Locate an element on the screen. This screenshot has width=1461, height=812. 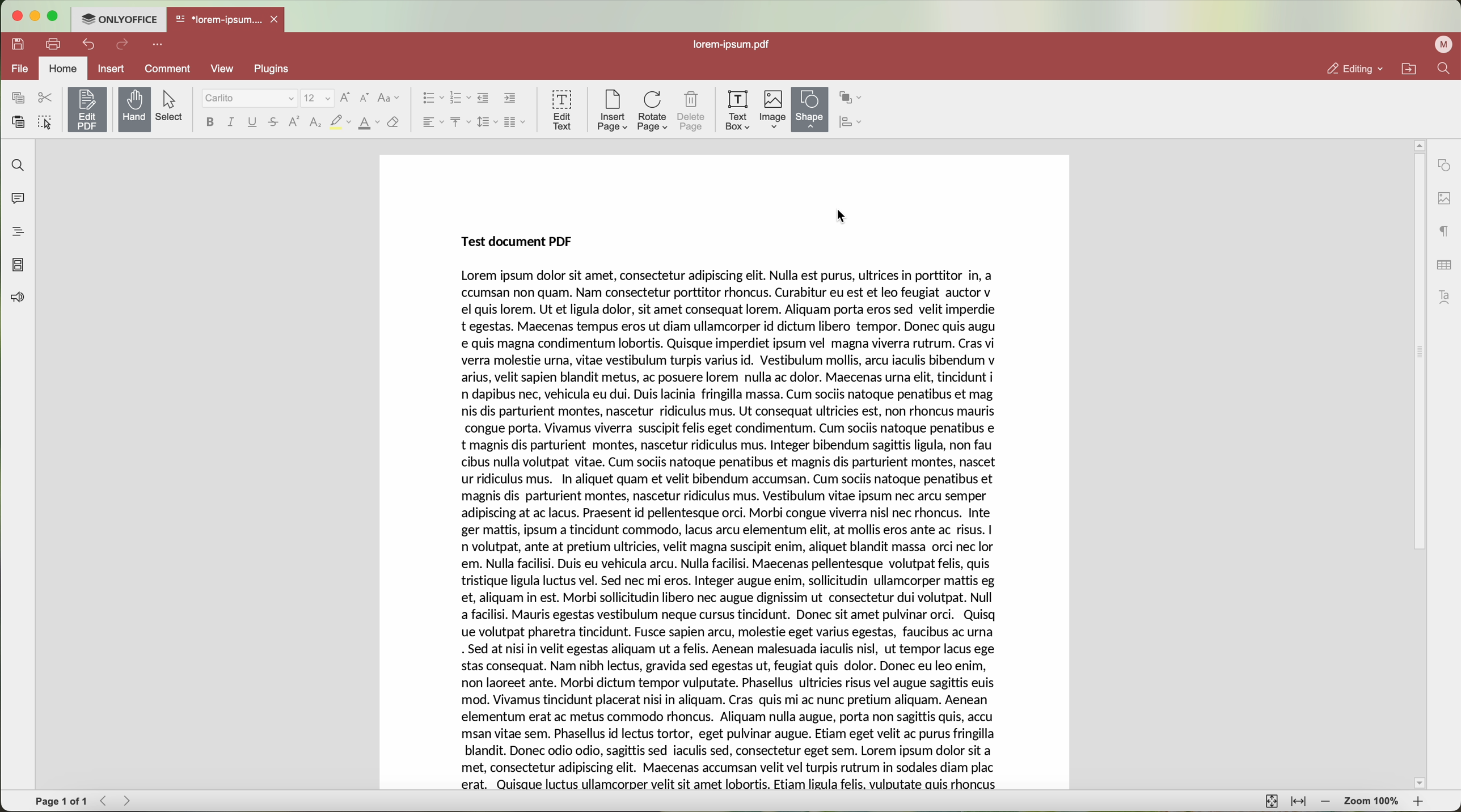
strikethrough is located at coordinates (275, 124).